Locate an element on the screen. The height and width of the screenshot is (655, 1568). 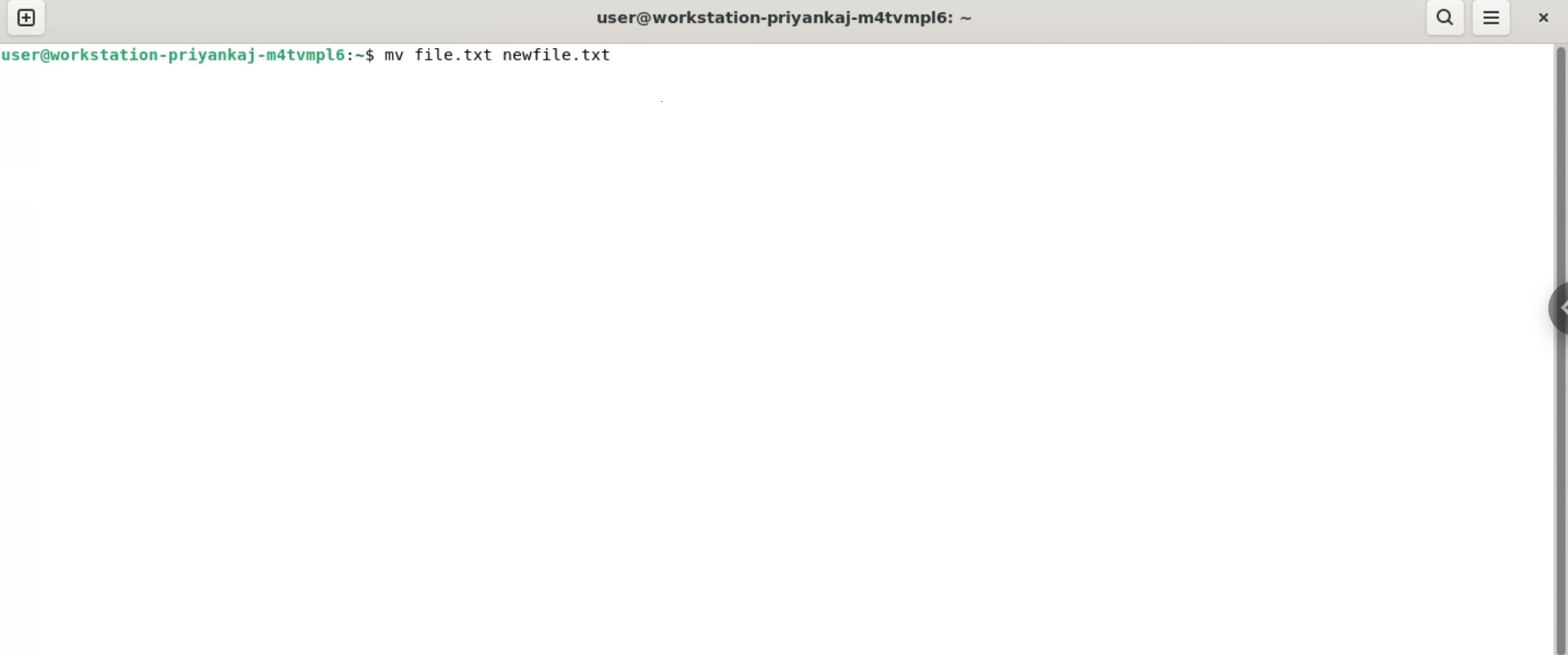
new tab is located at coordinates (25, 20).